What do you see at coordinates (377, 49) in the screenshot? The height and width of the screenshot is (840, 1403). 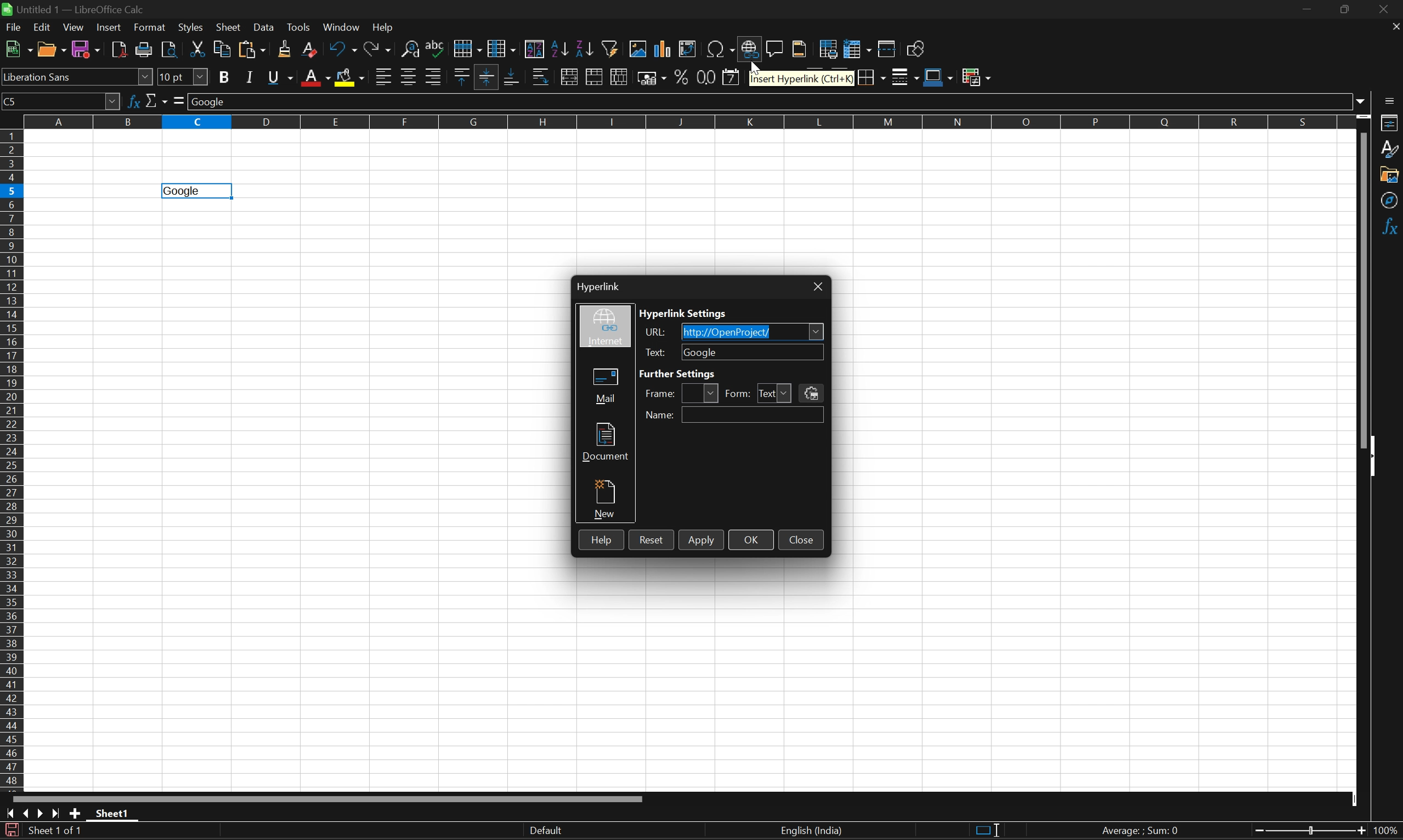 I see `Redo` at bounding box center [377, 49].